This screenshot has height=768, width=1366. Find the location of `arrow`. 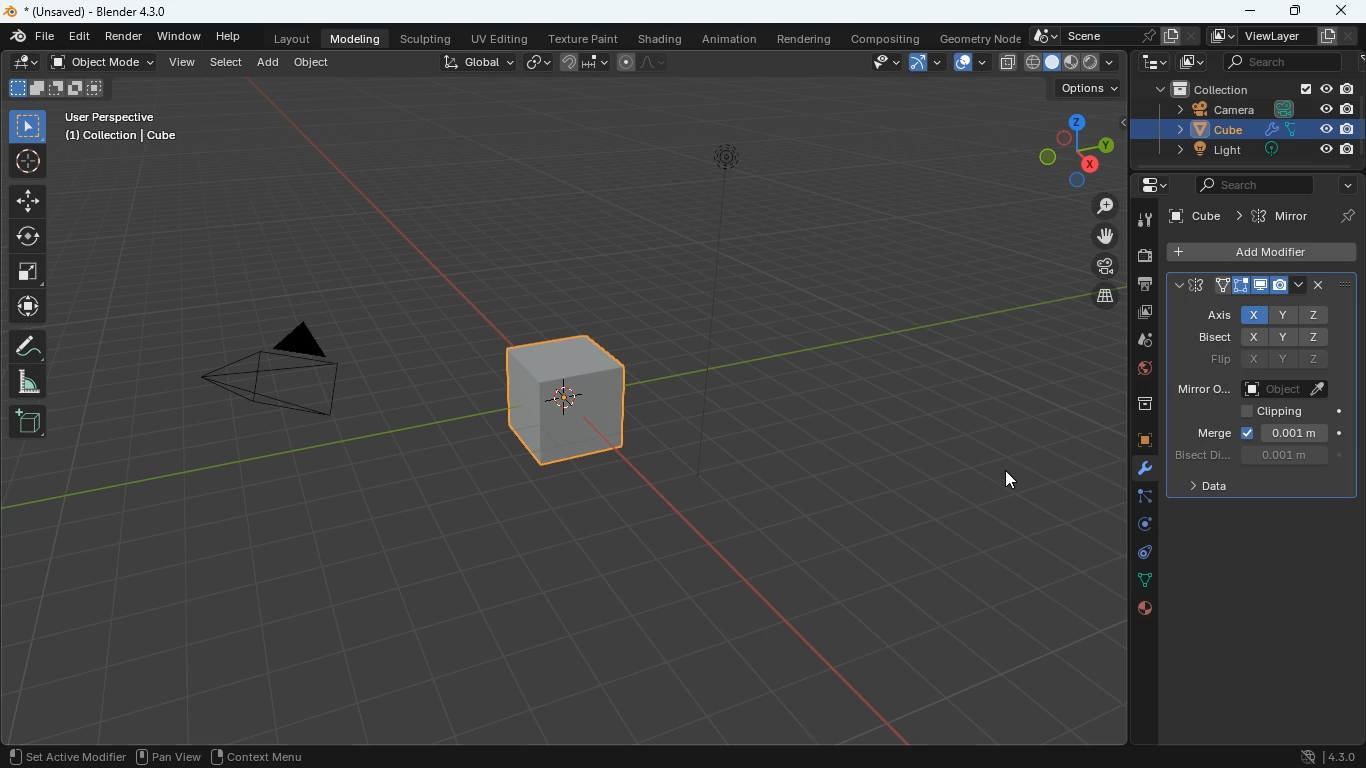

arrow is located at coordinates (924, 63).